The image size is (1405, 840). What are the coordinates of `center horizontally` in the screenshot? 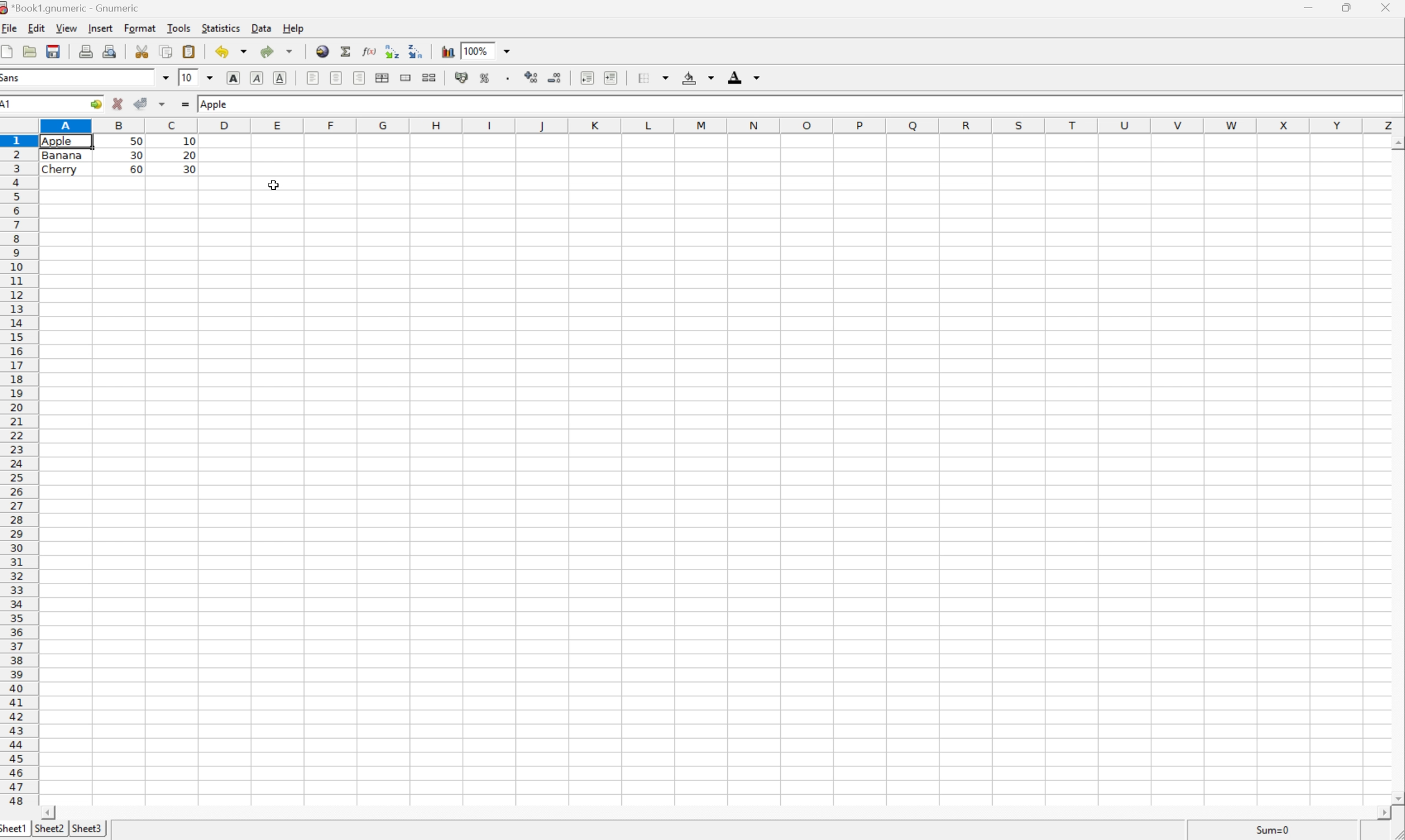 It's located at (382, 78).